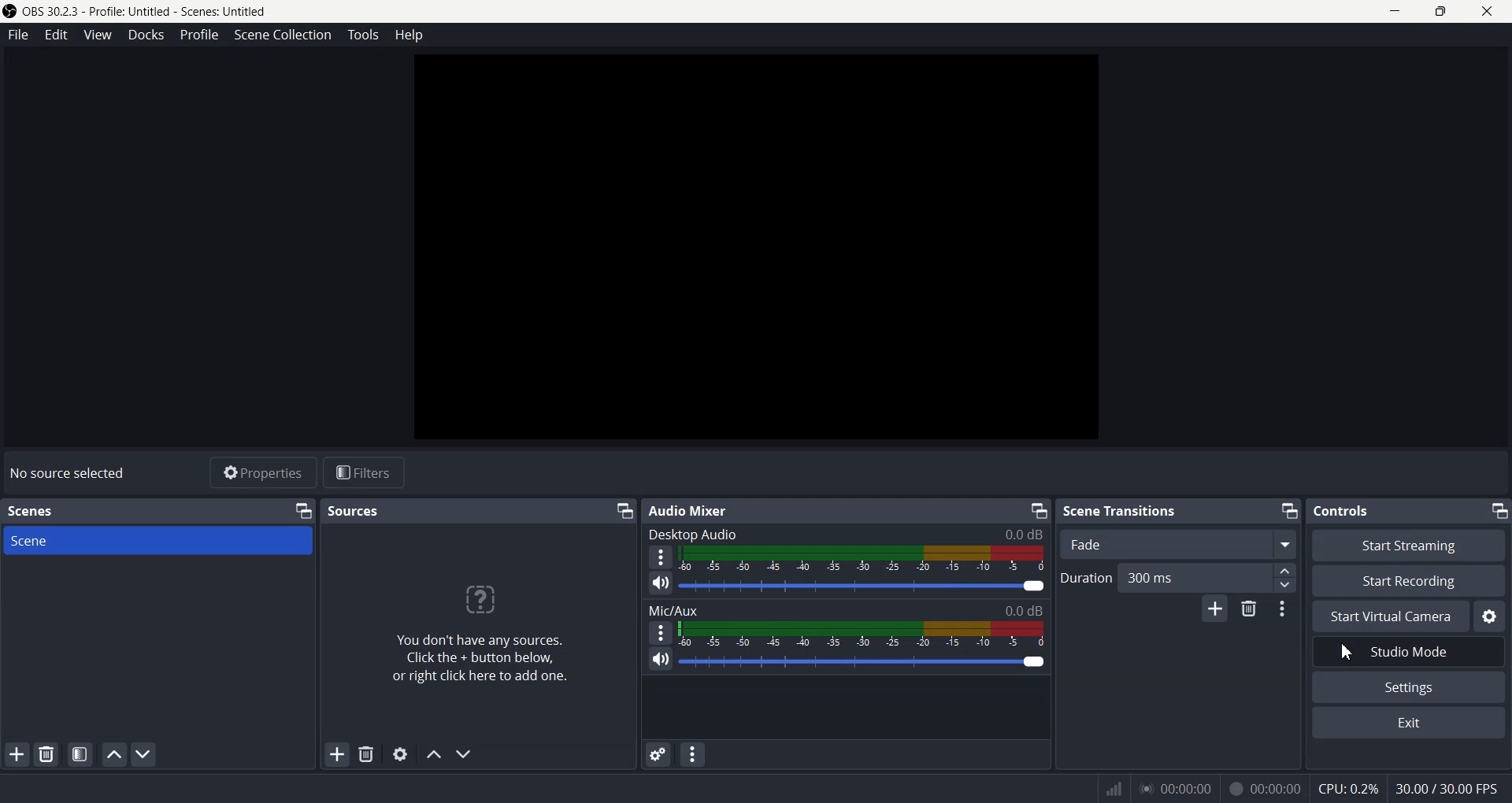  What do you see at coordinates (261, 473) in the screenshot?
I see `Properties` at bounding box center [261, 473].